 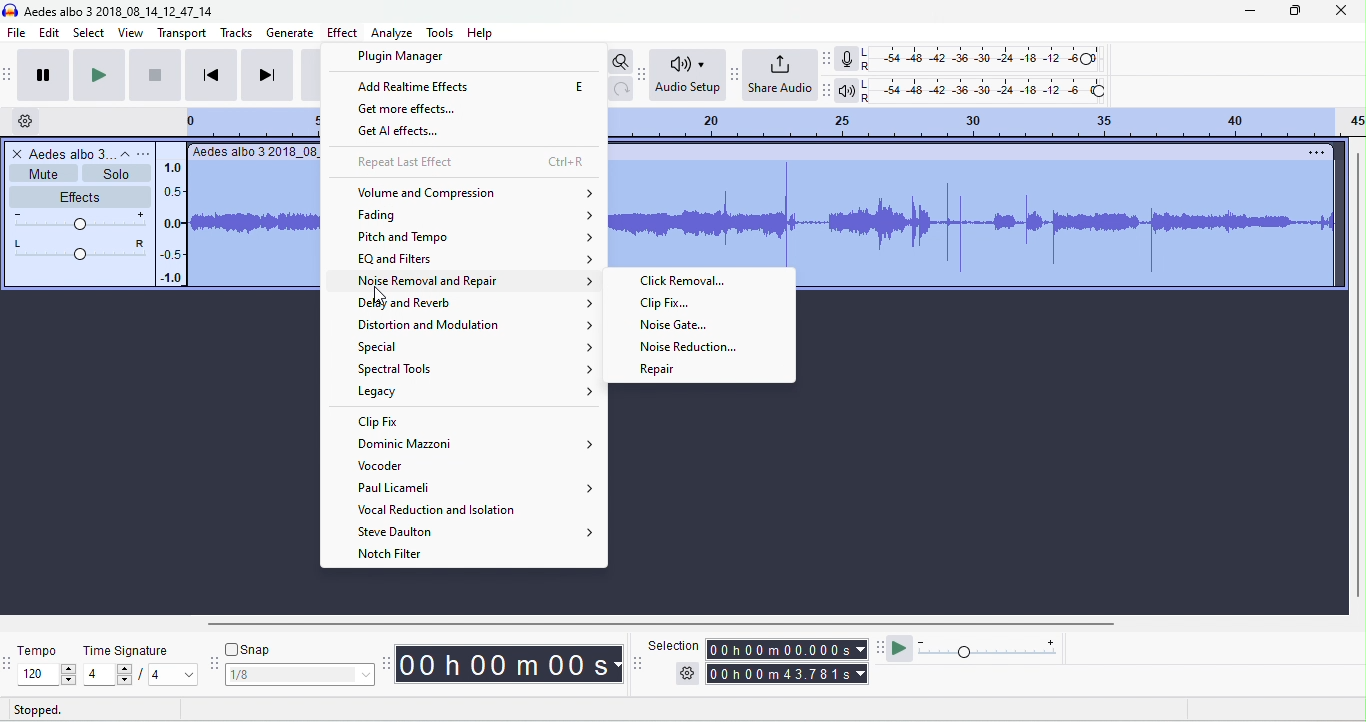 What do you see at coordinates (475, 370) in the screenshot?
I see `spectral tools` at bounding box center [475, 370].